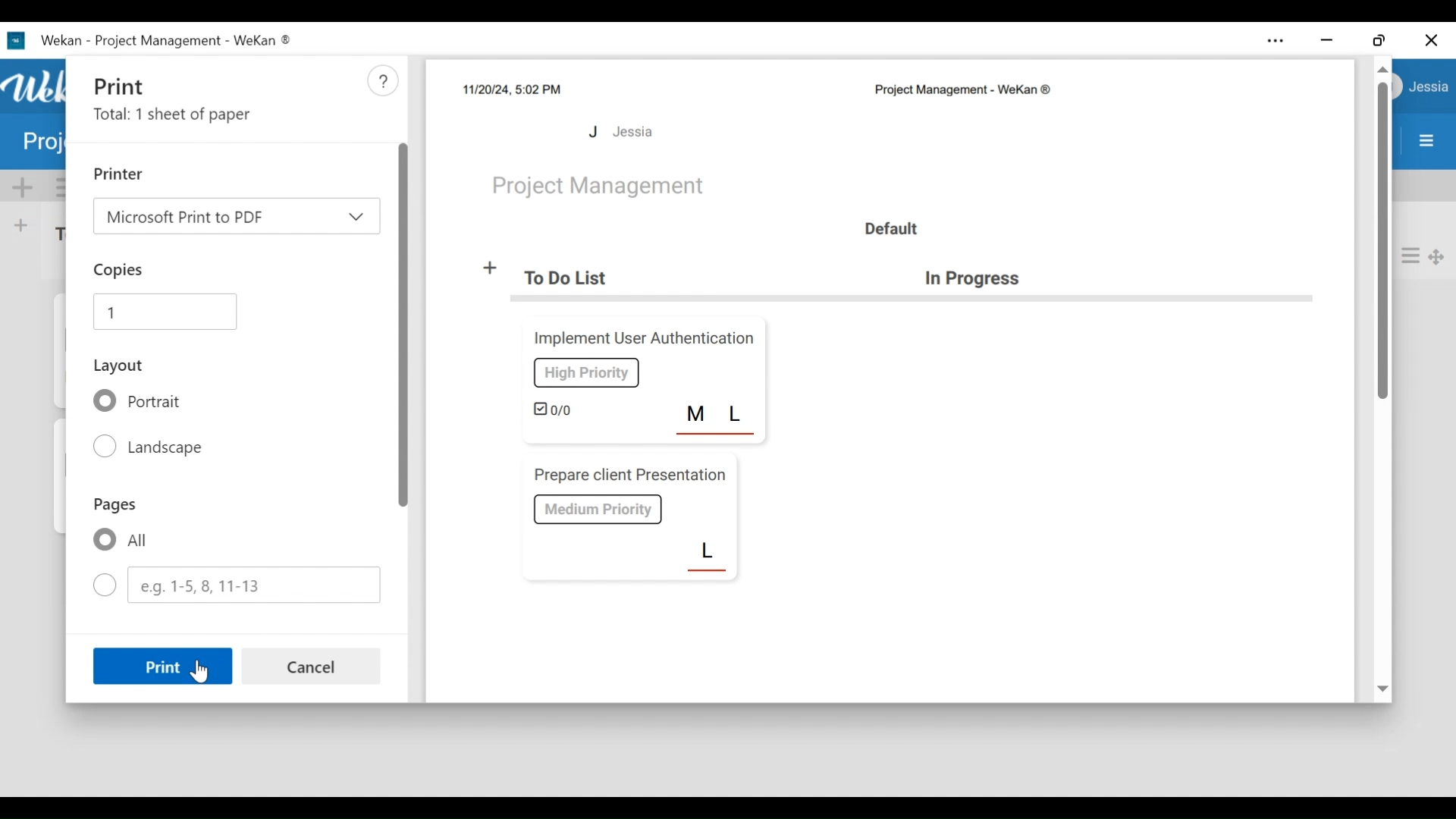 This screenshot has height=819, width=1456. What do you see at coordinates (1381, 69) in the screenshot?
I see `Scroll up` at bounding box center [1381, 69].